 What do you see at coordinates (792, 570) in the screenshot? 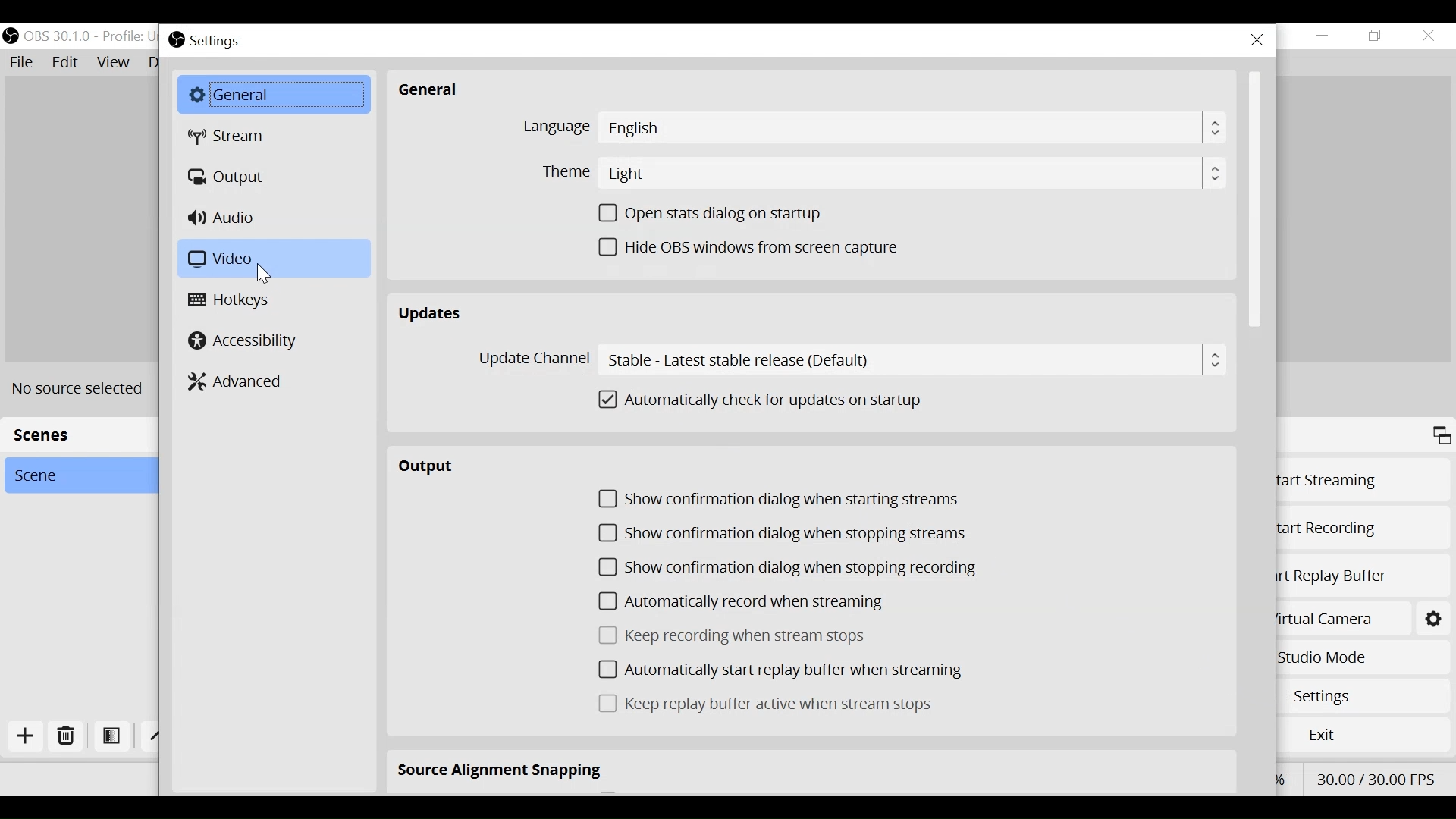
I see `(un)check Show confirmation dialog when stopping recording` at bounding box center [792, 570].